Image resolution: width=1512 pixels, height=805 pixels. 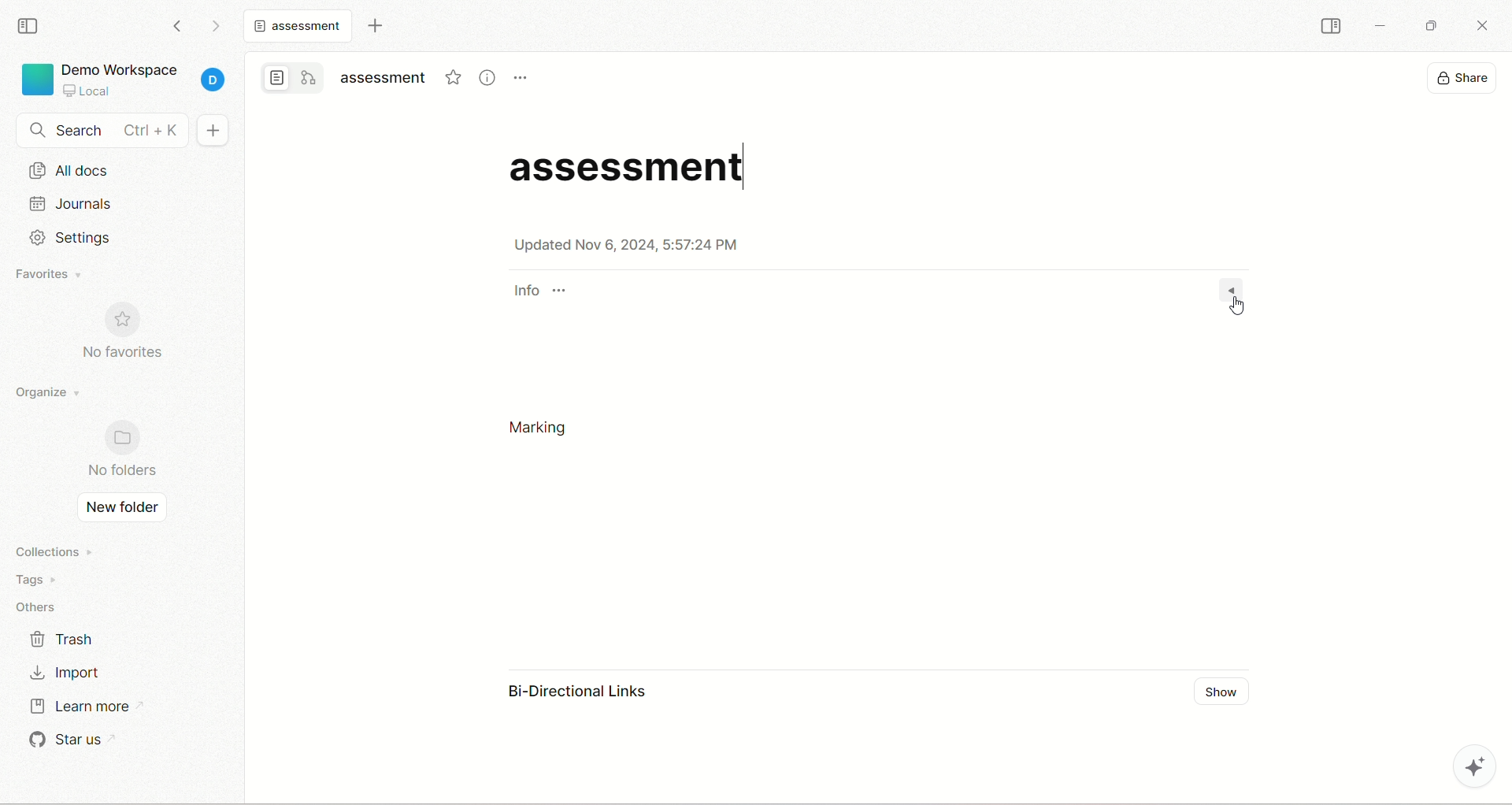 What do you see at coordinates (626, 246) in the screenshot?
I see `Updated Nov 6, 2024, 5:57:24 PM` at bounding box center [626, 246].